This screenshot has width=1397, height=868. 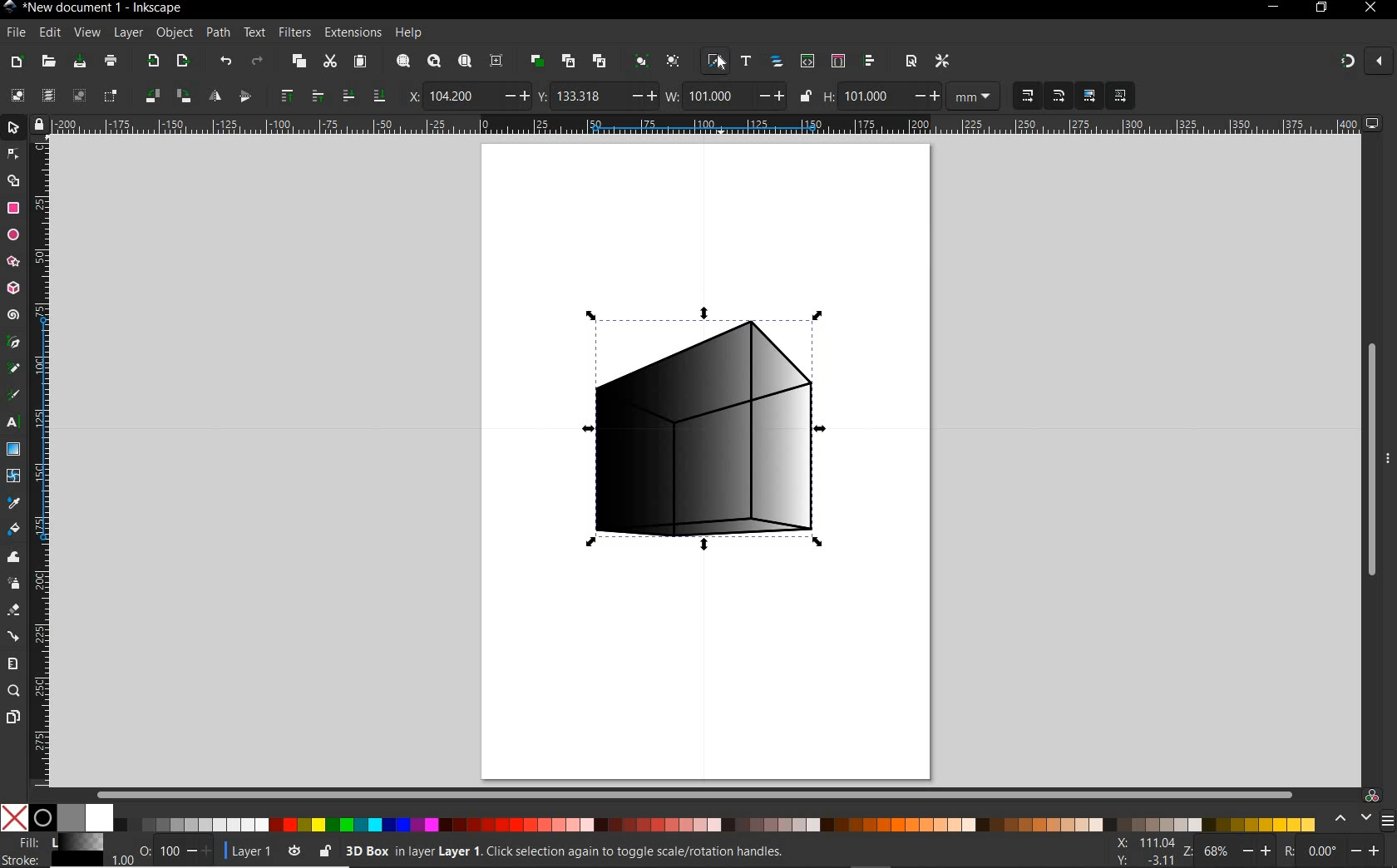 What do you see at coordinates (347, 94) in the screenshot?
I see `LOWER SELECTION` at bounding box center [347, 94].